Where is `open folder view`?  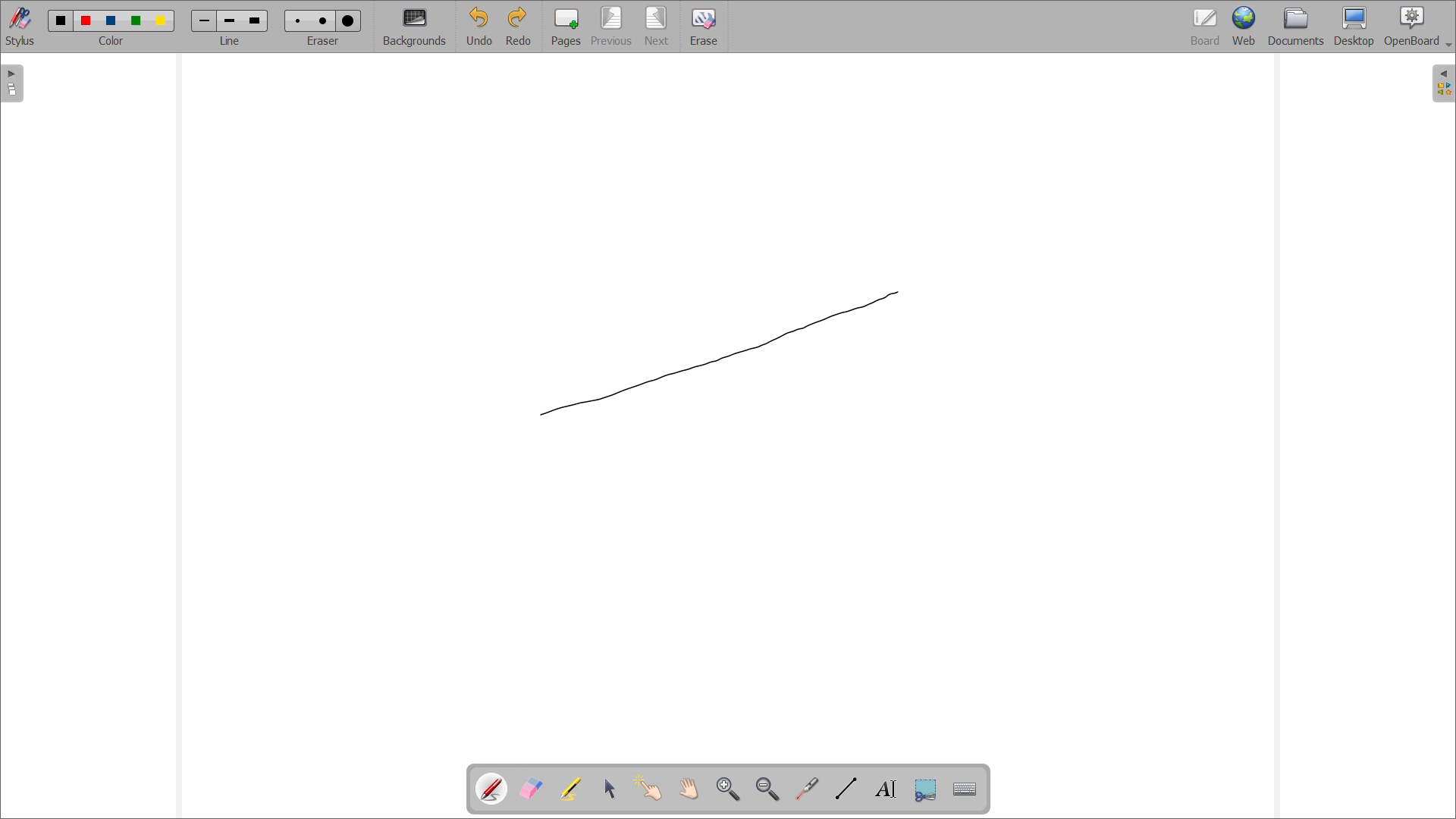
open folder view is located at coordinates (1443, 83).